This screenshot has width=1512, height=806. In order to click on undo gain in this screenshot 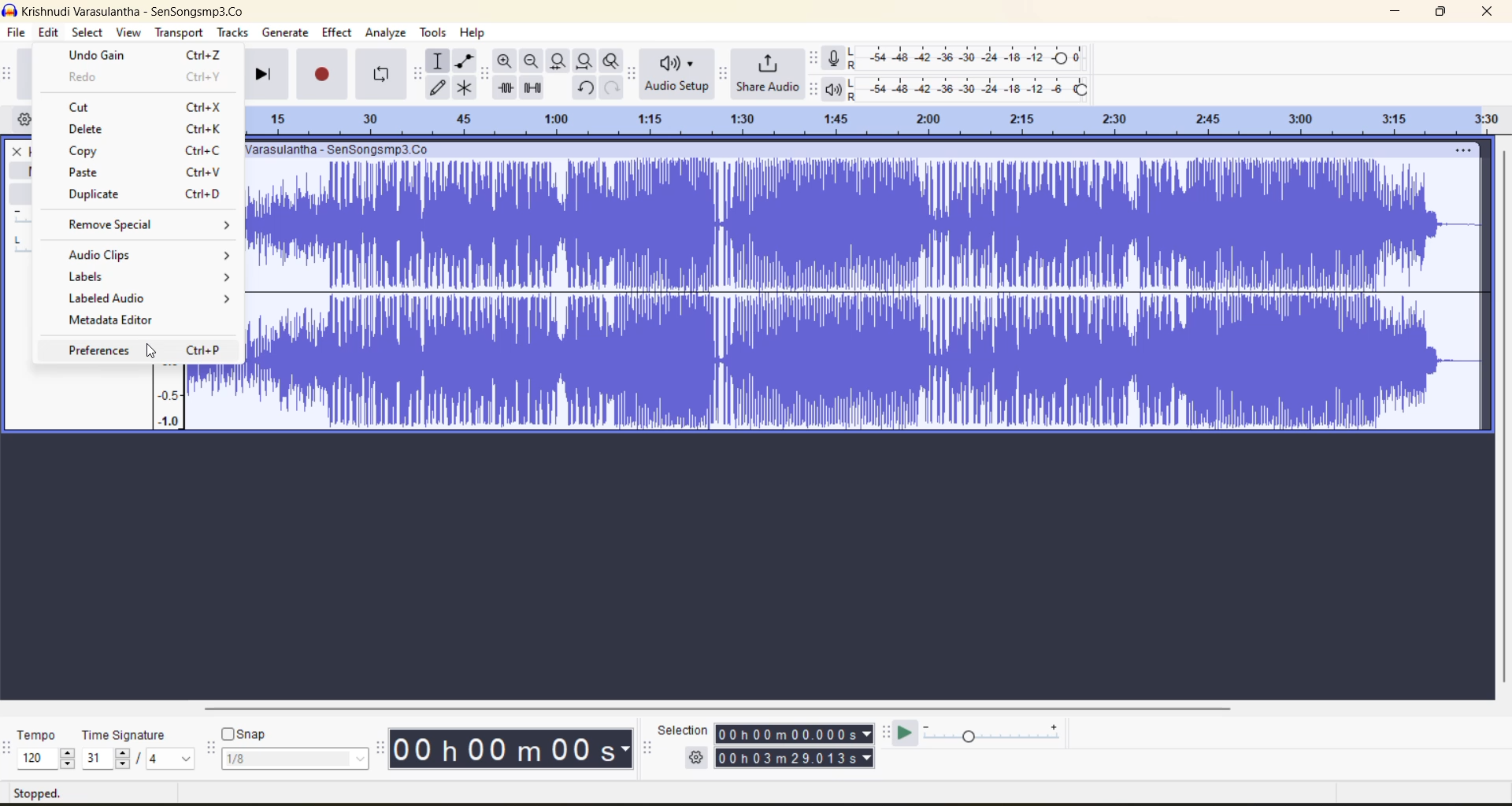, I will do `click(139, 57)`.